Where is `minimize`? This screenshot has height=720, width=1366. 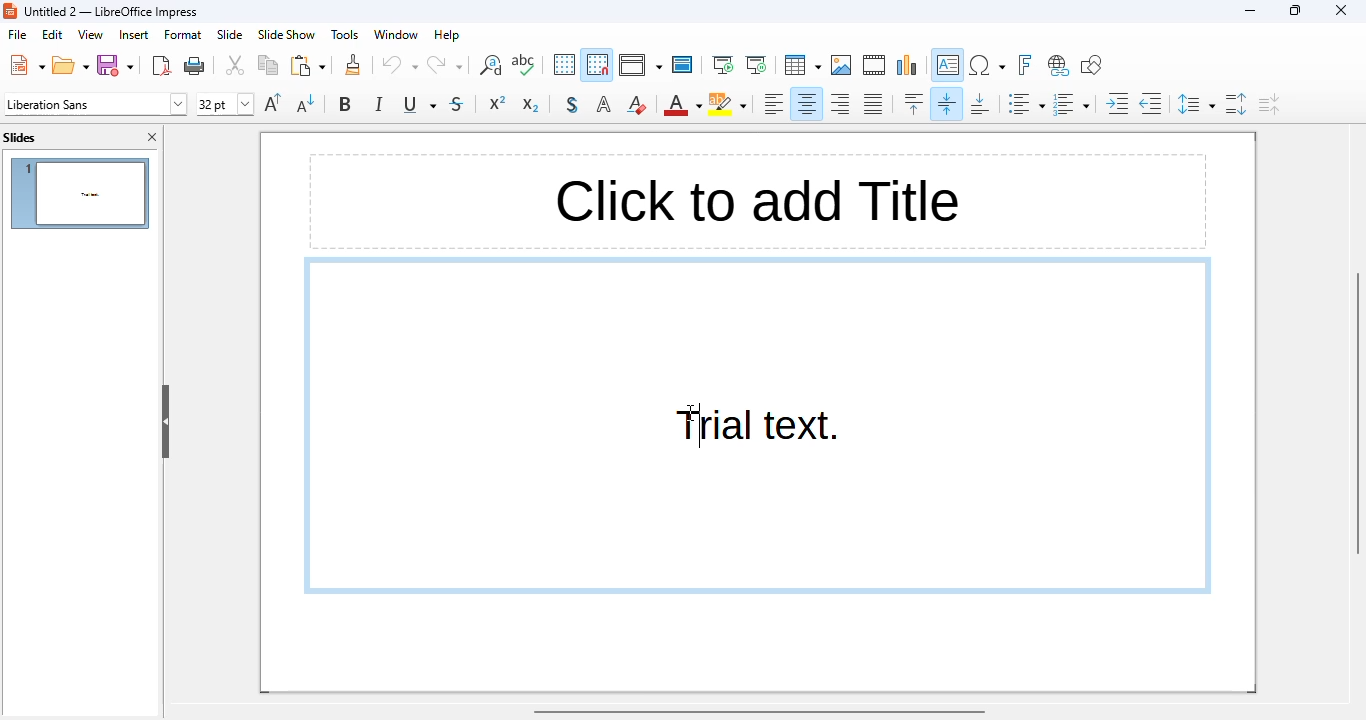 minimize is located at coordinates (1250, 11).